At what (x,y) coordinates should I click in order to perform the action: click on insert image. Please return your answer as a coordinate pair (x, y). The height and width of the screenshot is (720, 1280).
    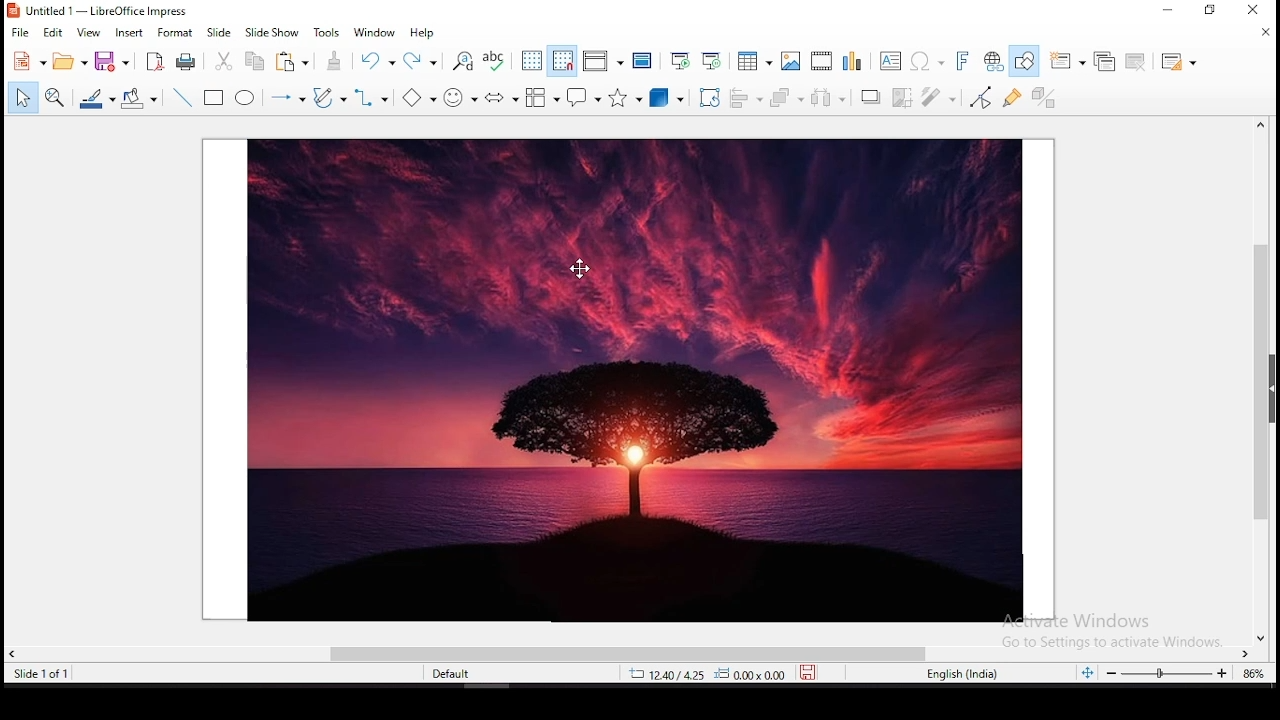
    Looking at the image, I should click on (792, 62).